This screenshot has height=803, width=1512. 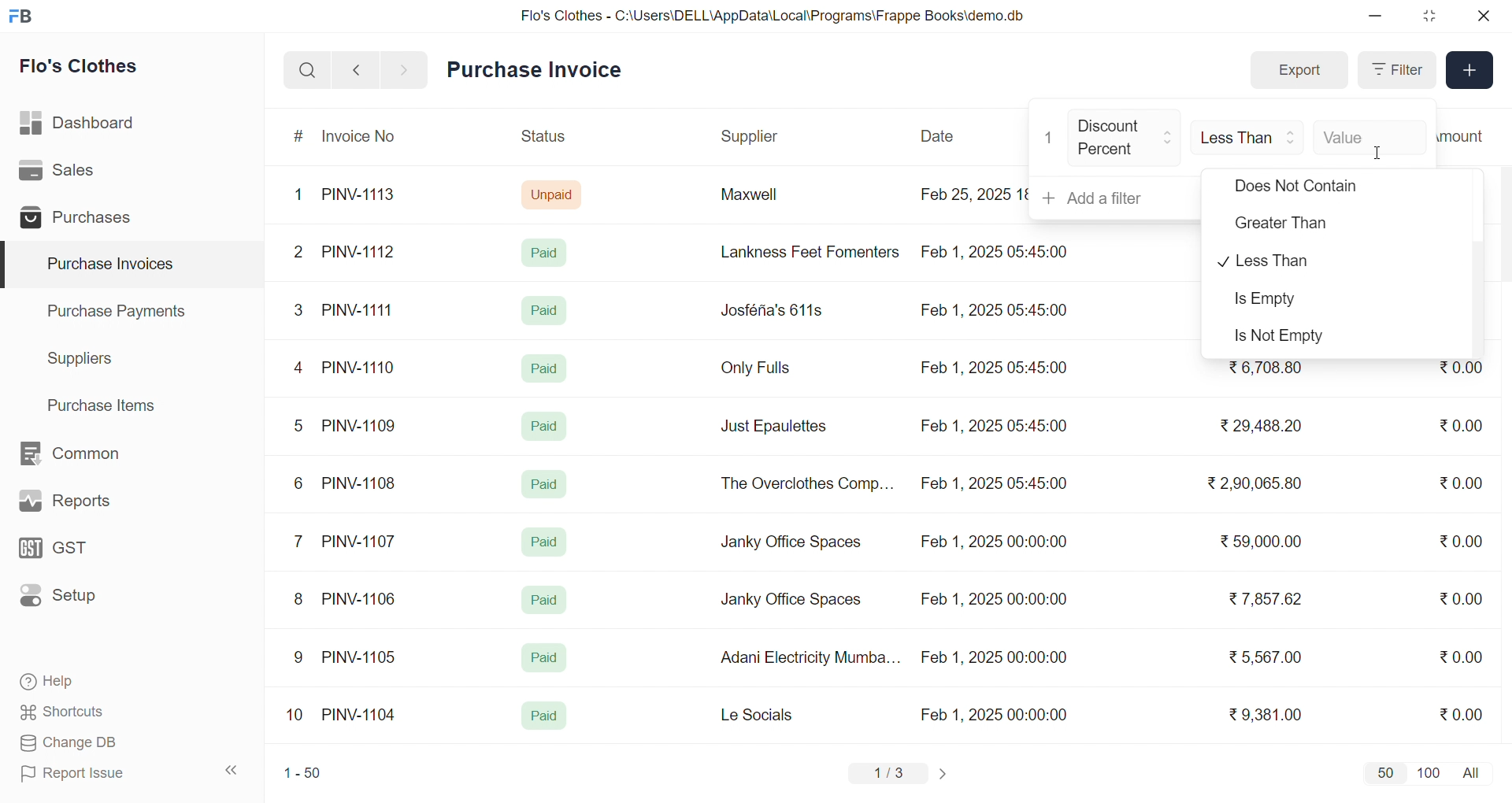 I want to click on Purchase Items, so click(x=107, y=403).